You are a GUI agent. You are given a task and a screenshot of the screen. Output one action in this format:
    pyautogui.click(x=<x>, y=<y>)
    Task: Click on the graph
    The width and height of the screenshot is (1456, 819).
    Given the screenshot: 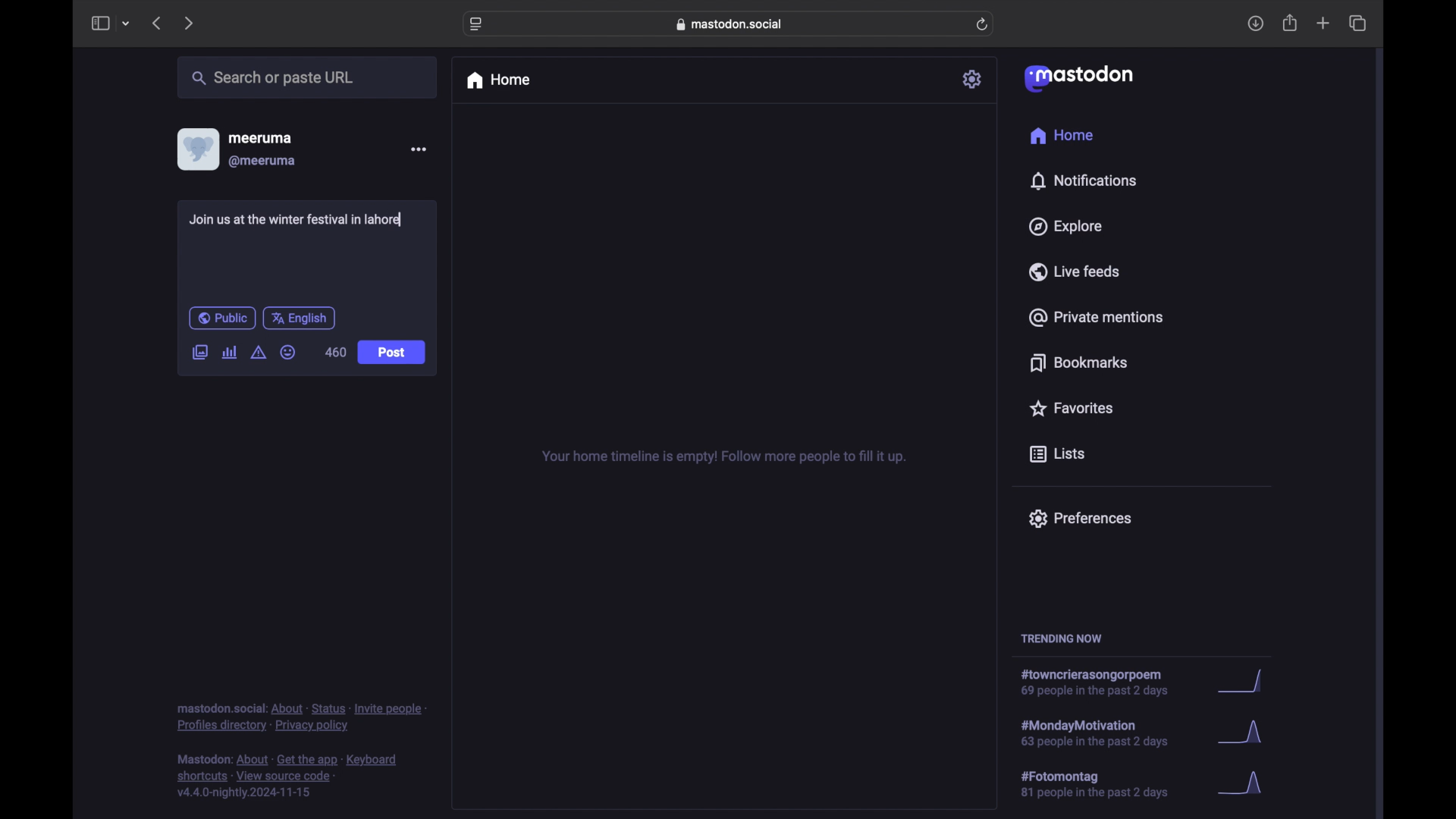 What is the action you would take?
    pyautogui.click(x=1245, y=784)
    